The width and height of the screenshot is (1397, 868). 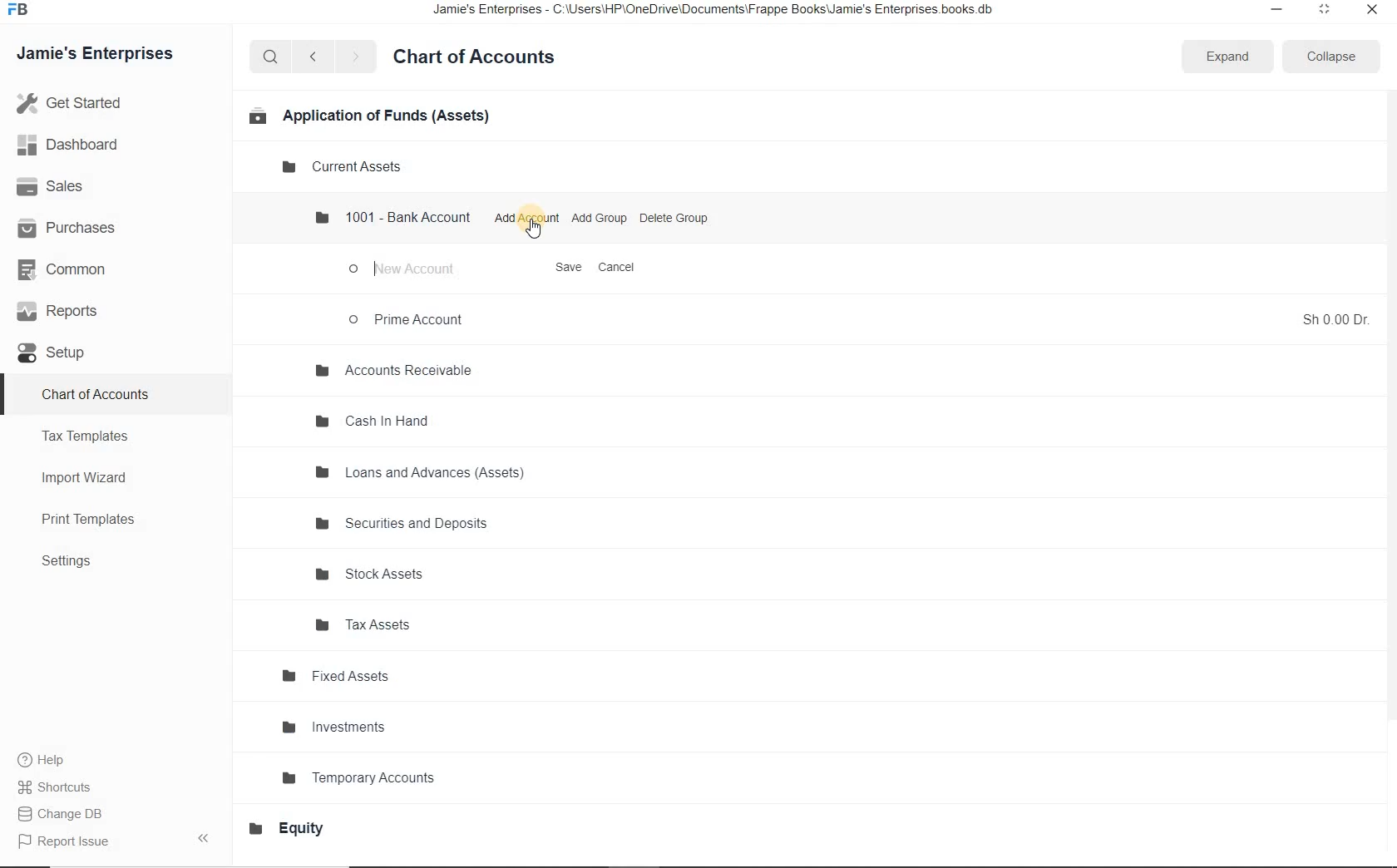 What do you see at coordinates (74, 313) in the screenshot?
I see `Reports` at bounding box center [74, 313].